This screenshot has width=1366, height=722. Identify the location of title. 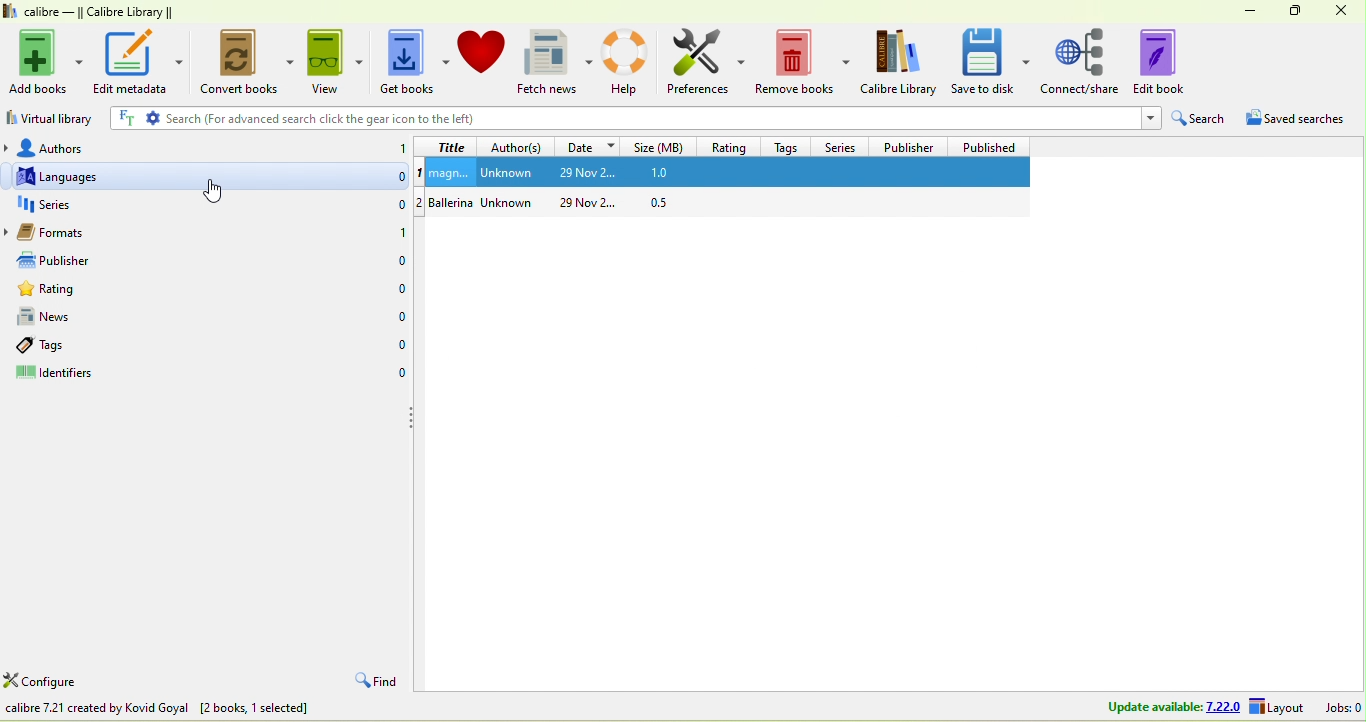
(447, 147).